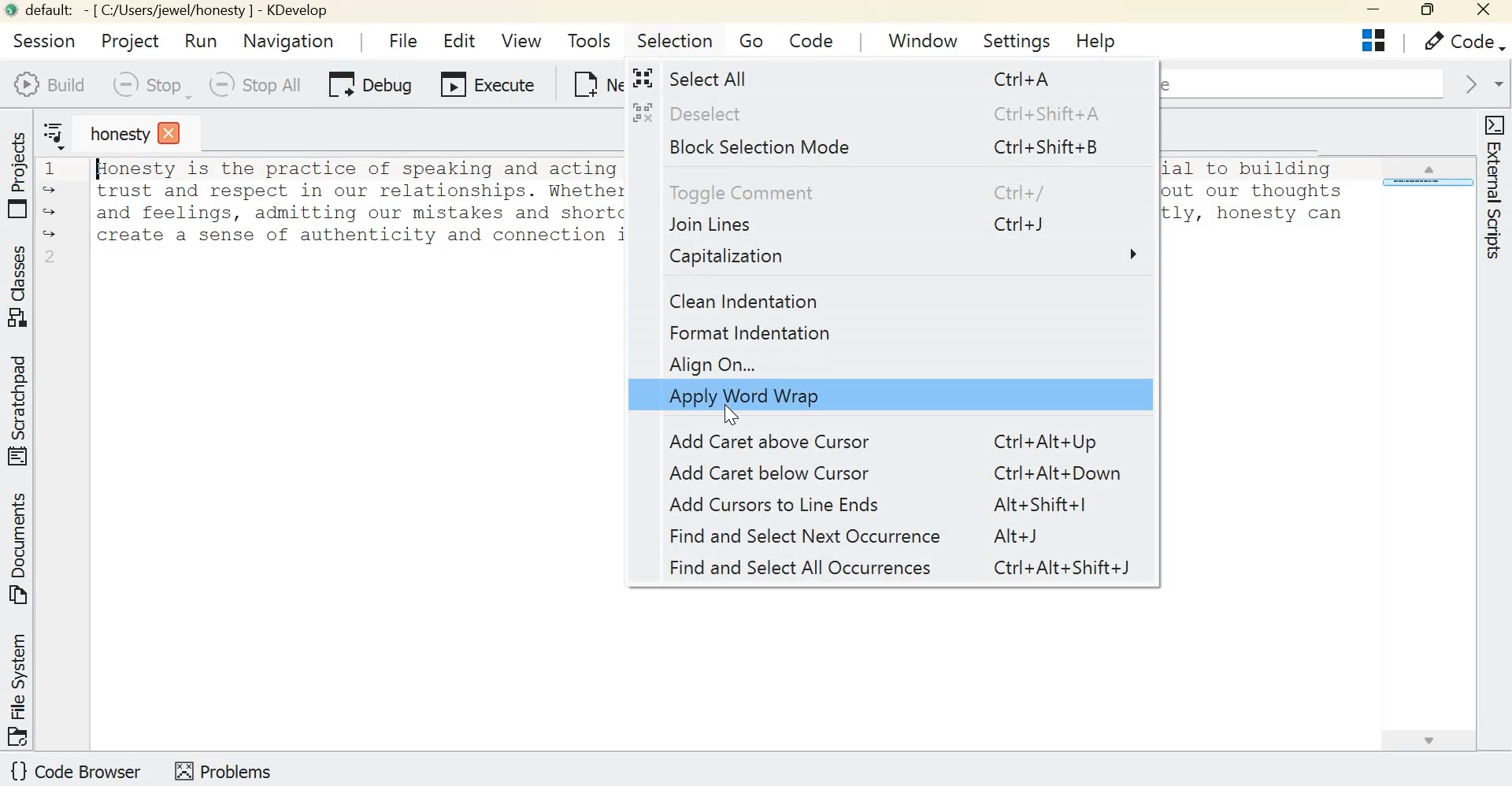 Image resolution: width=1512 pixels, height=786 pixels. Describe the element at coordinates (672, 41) in the screenshot. I see `Selection` at that location.